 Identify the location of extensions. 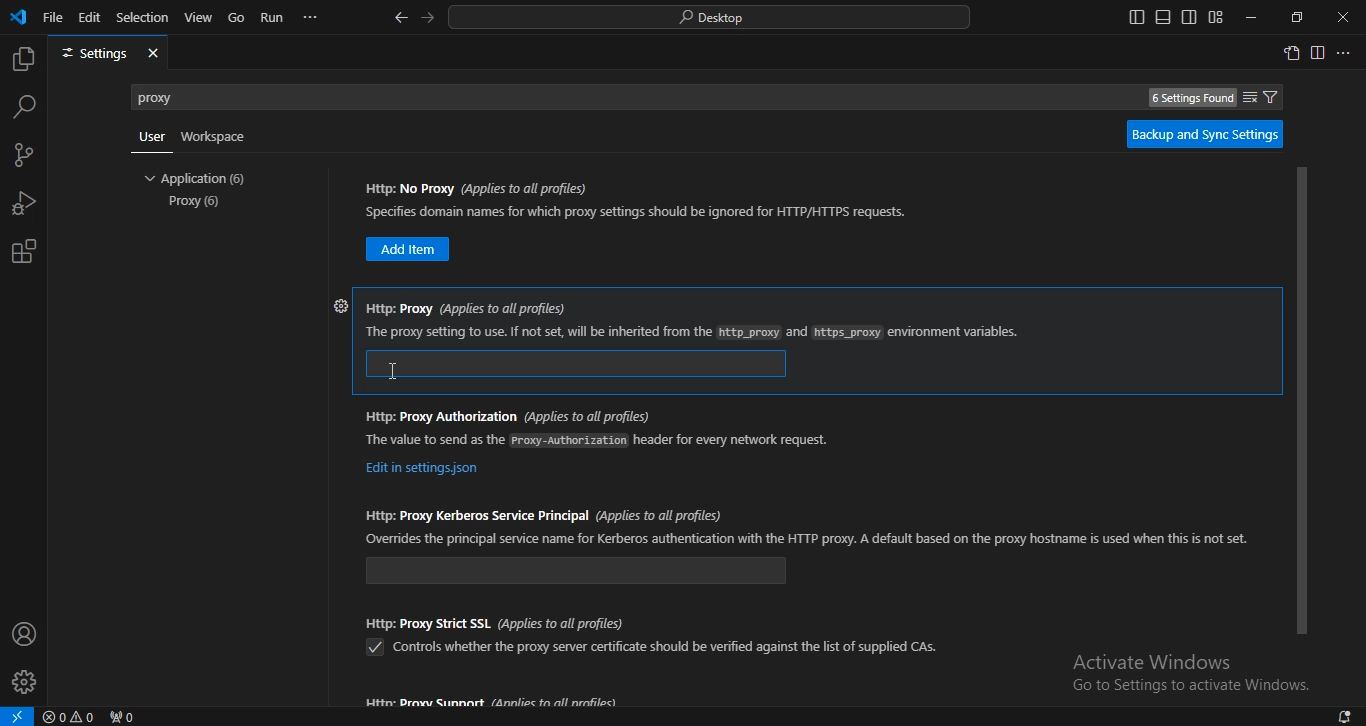
(26, 252).